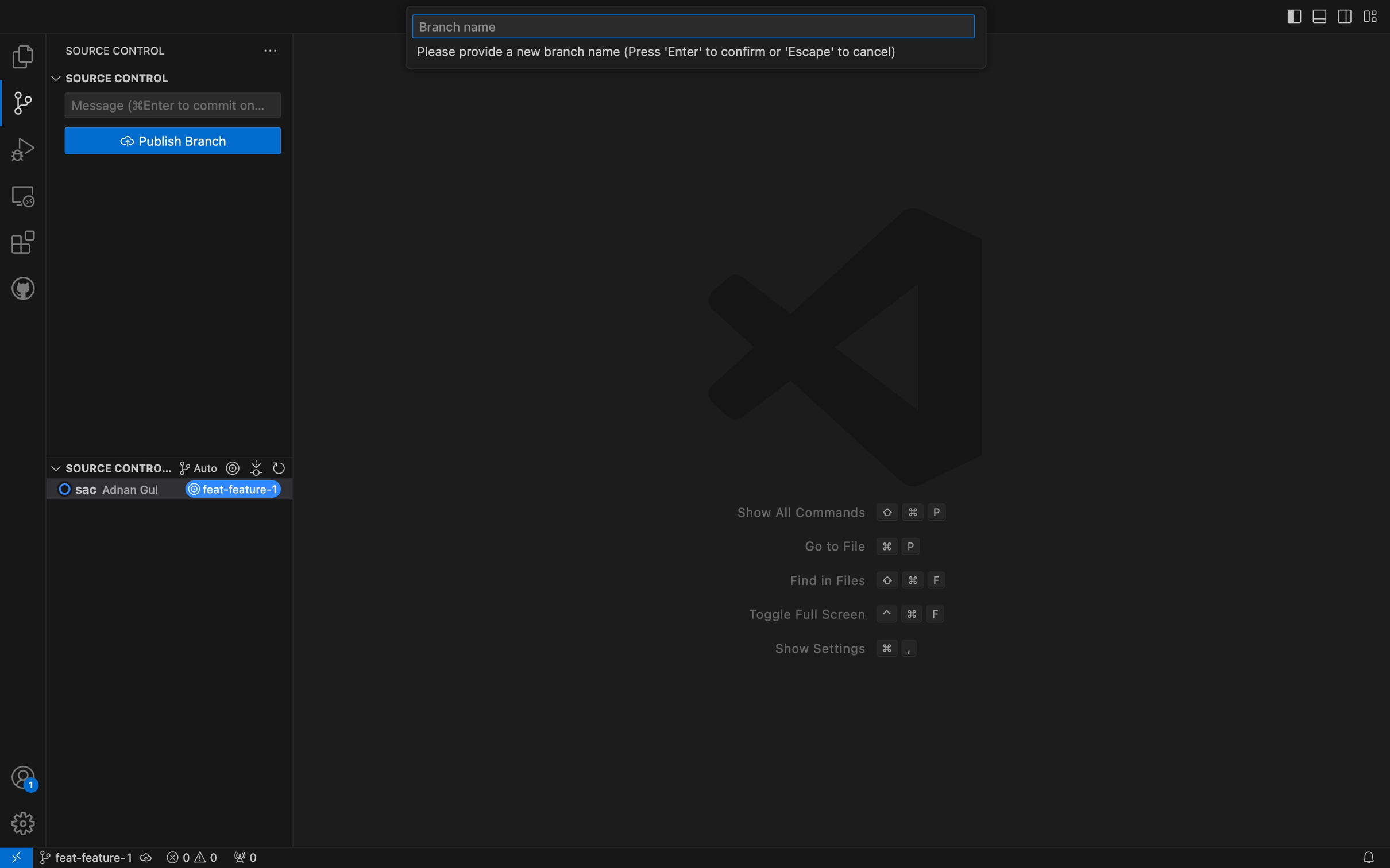 The image size is (1390, 868). What do you see at coordinates (698, 56) in the screenshot?
I see `branch message` at bounding box center [698, 56].